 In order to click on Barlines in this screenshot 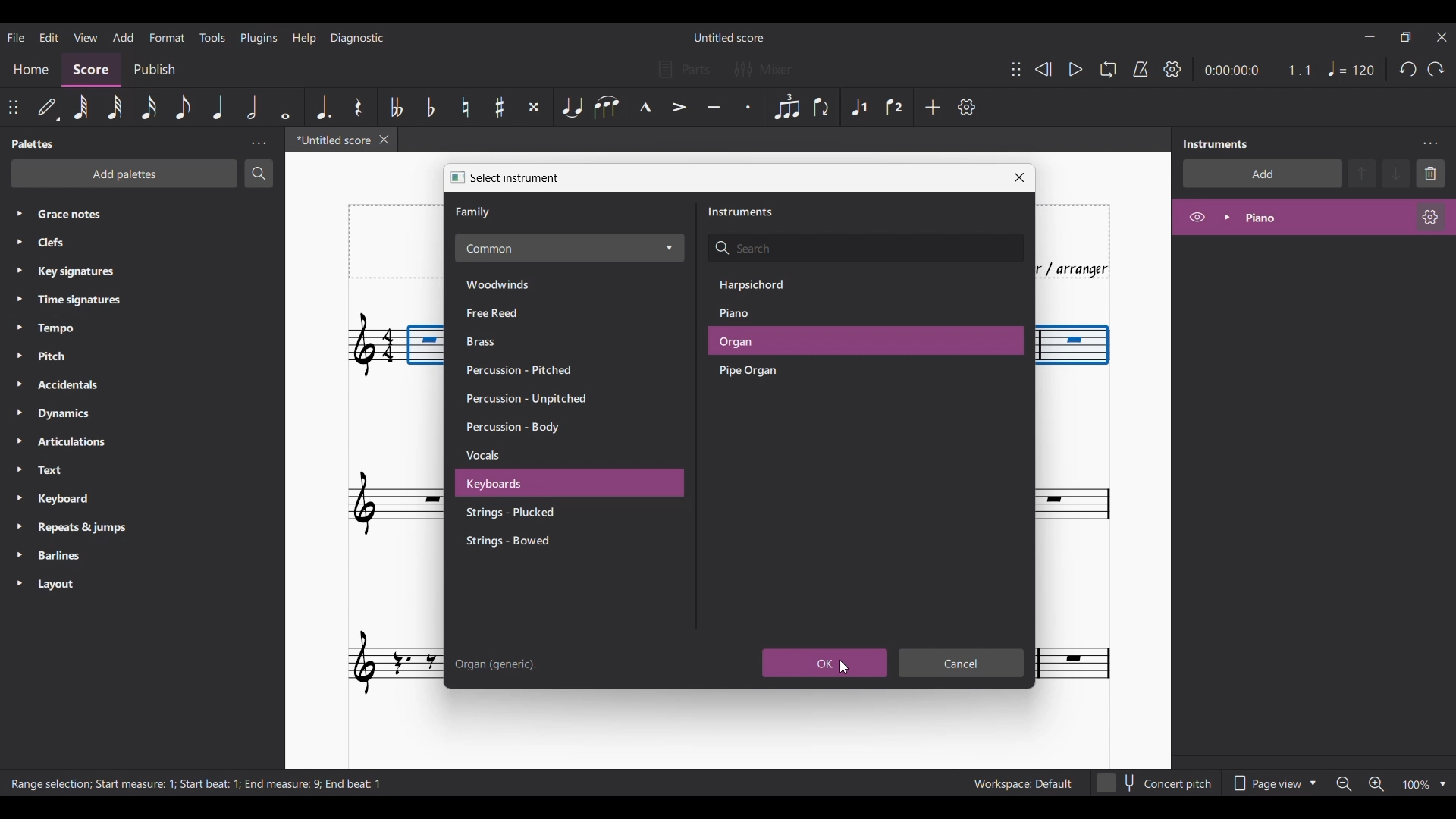, I will do `click(82, 557)`.